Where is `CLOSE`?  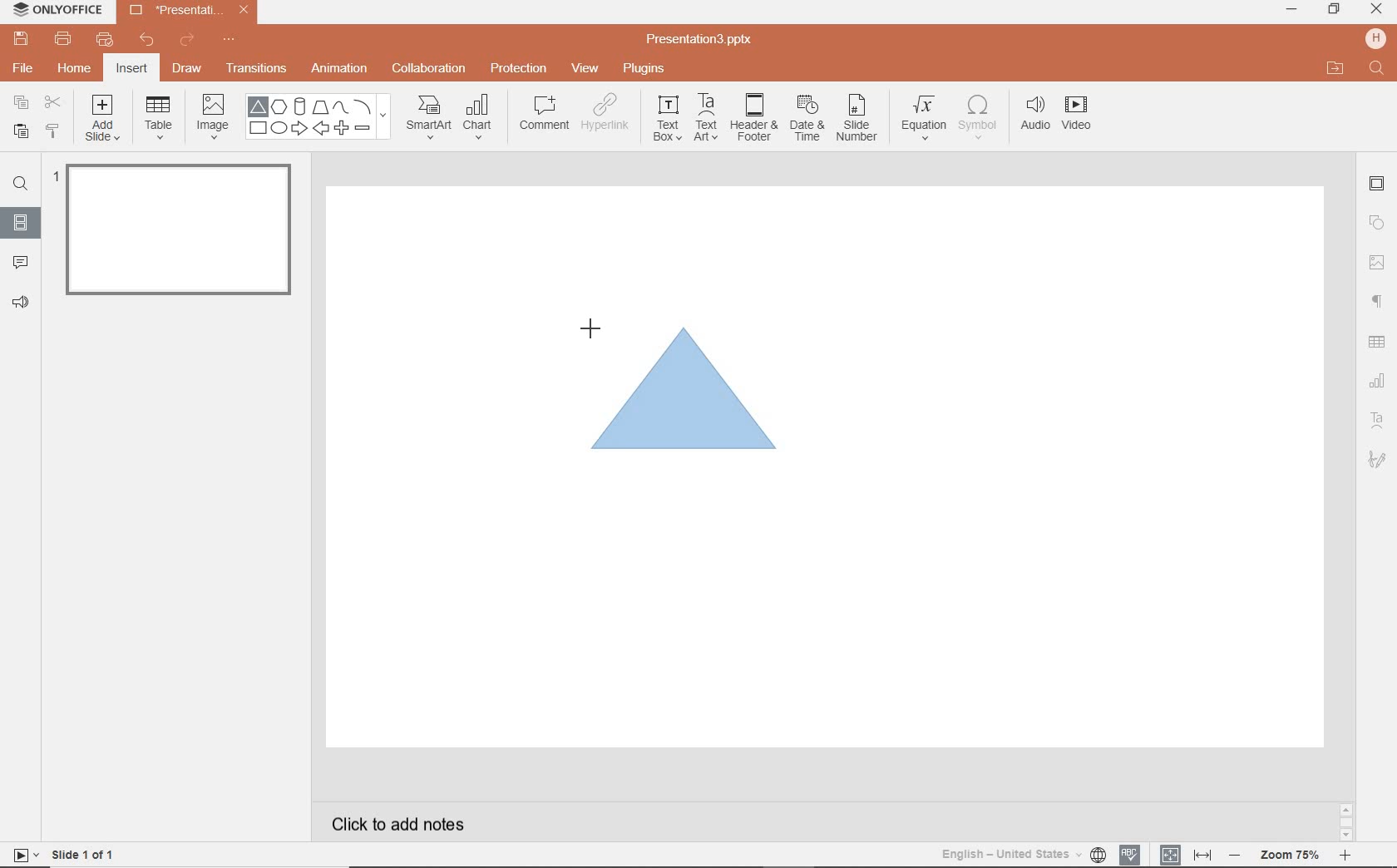
CLOSE is located at coordinates (1376, 10).